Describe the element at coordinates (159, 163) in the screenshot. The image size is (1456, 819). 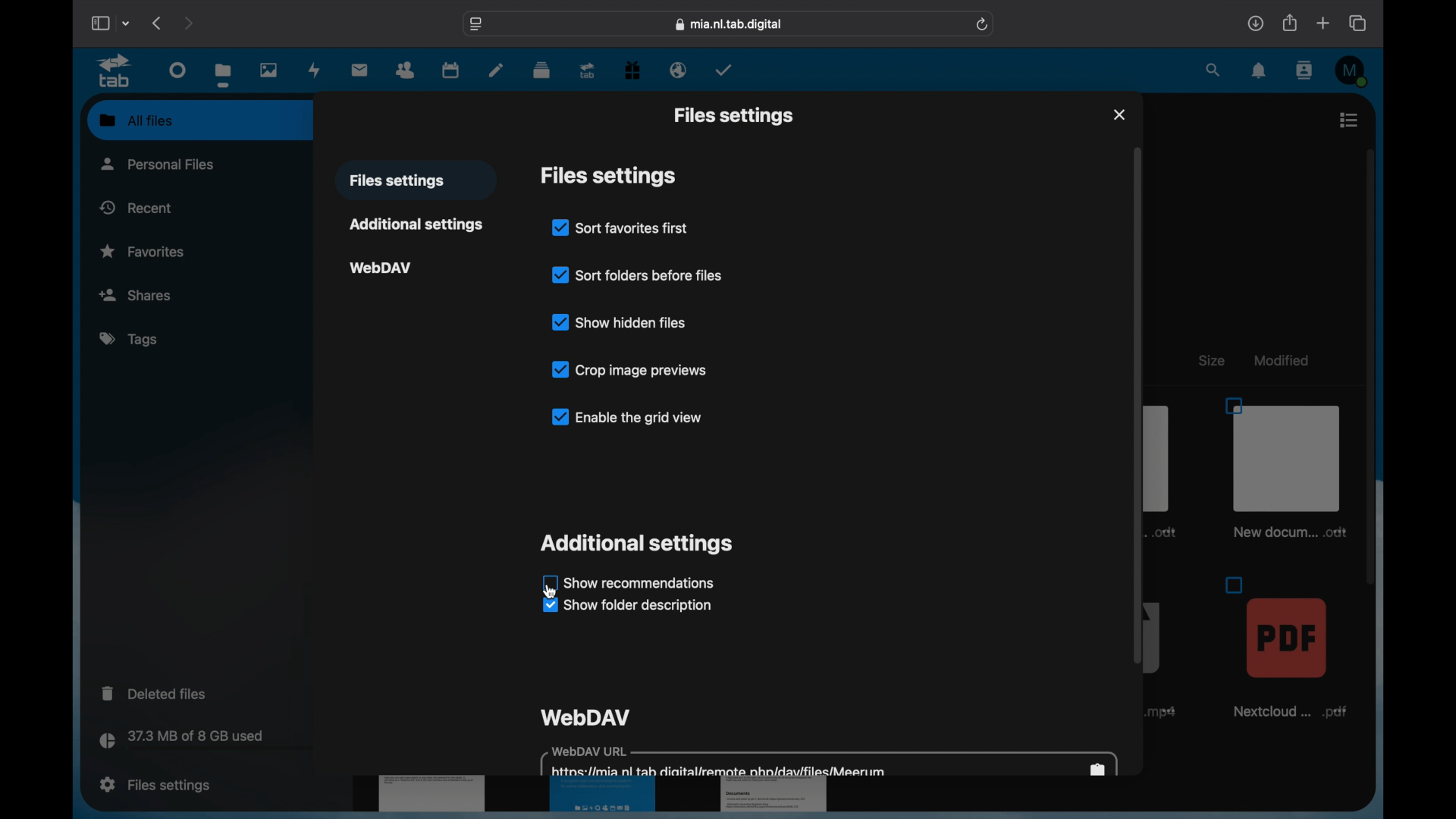
I see `personal files` at that location.